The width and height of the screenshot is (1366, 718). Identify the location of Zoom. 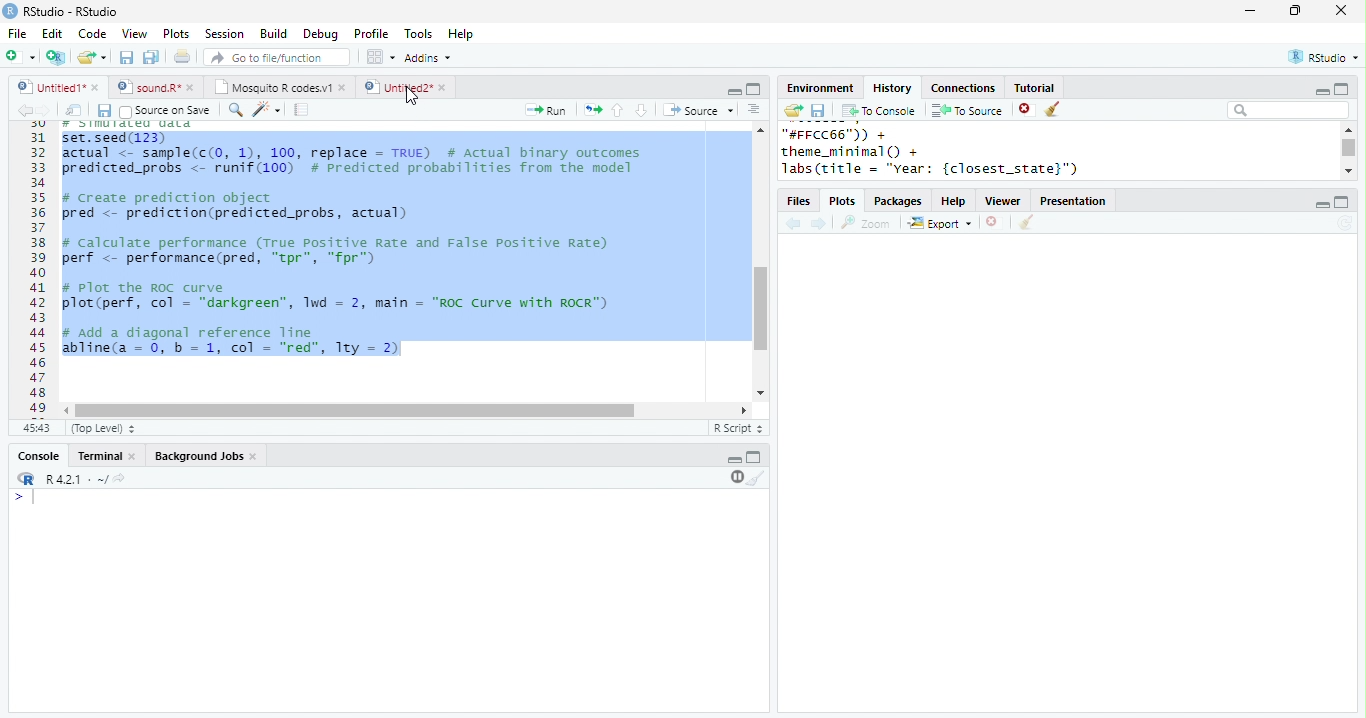
(866, 223).